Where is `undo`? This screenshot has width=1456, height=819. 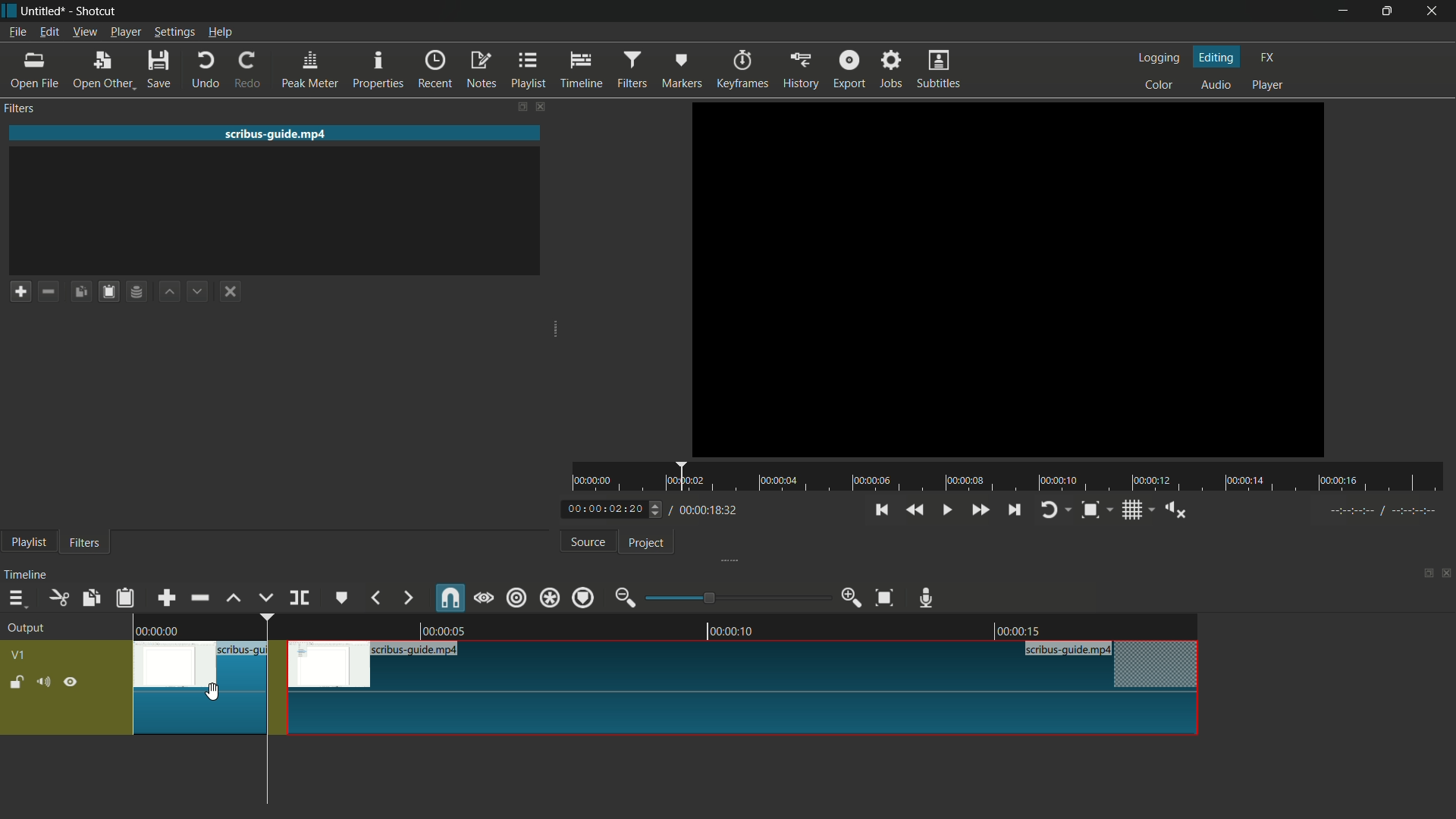 undo is located at coordinates (209, 69).